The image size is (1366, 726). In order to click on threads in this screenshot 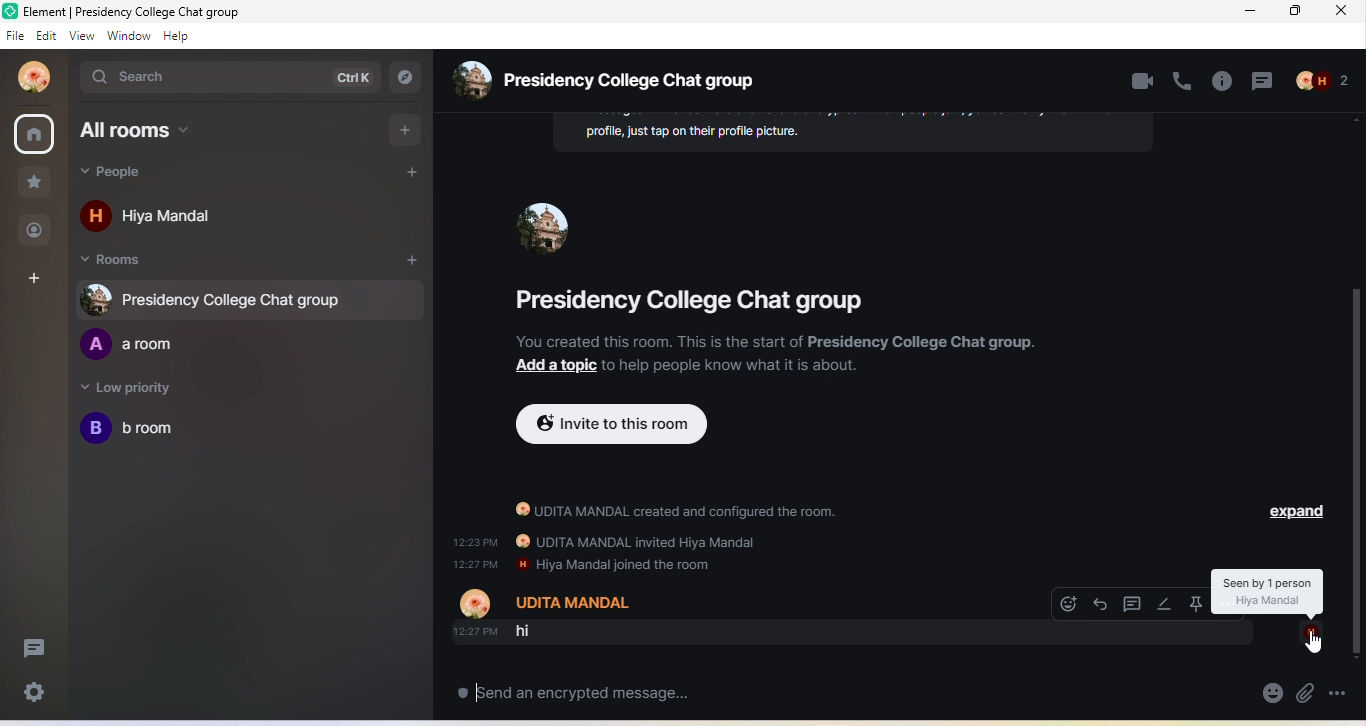, I will do `click(1133, 604)`.